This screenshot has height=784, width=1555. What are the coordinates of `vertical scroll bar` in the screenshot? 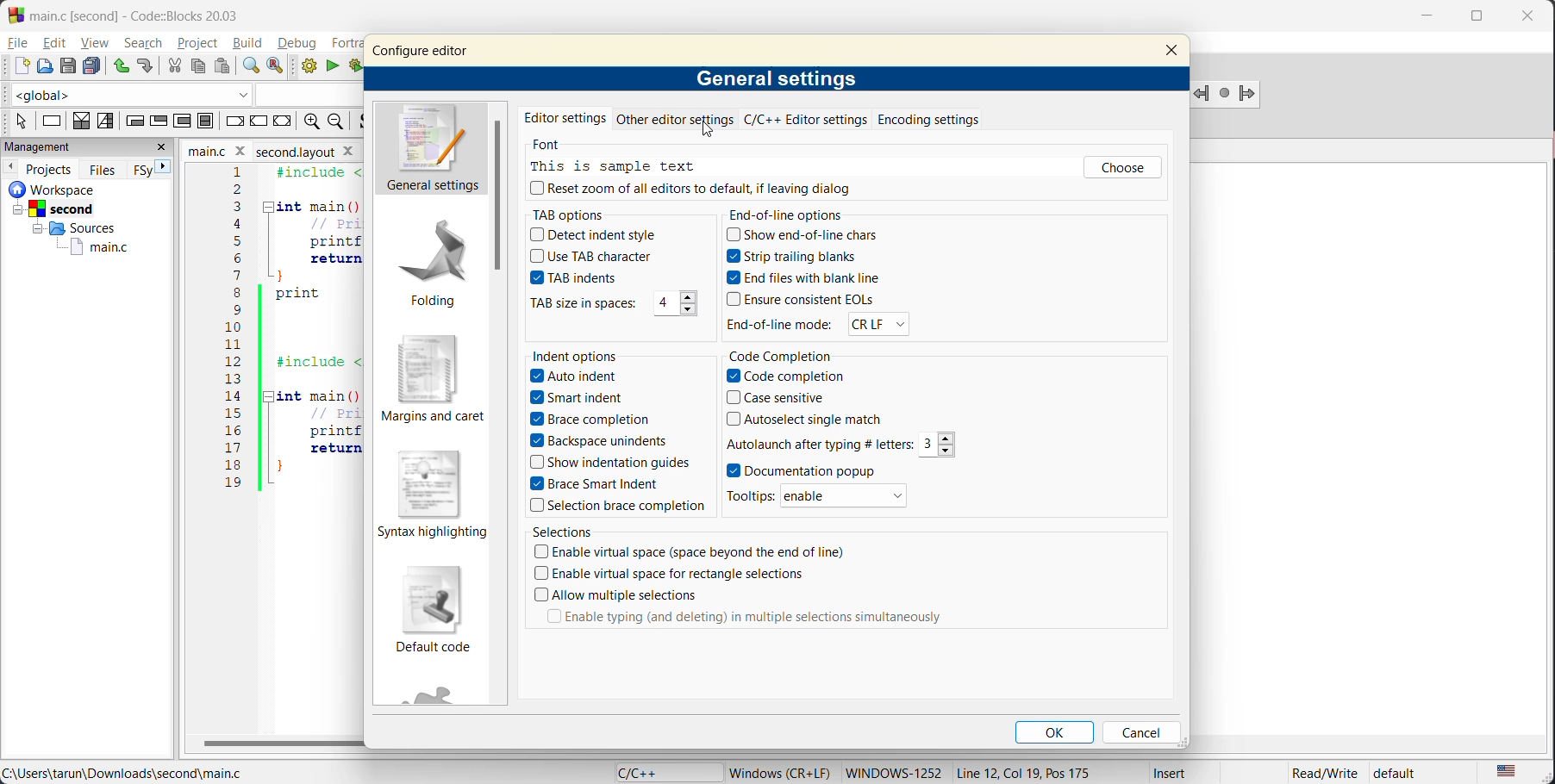 It's located at (496, 198).